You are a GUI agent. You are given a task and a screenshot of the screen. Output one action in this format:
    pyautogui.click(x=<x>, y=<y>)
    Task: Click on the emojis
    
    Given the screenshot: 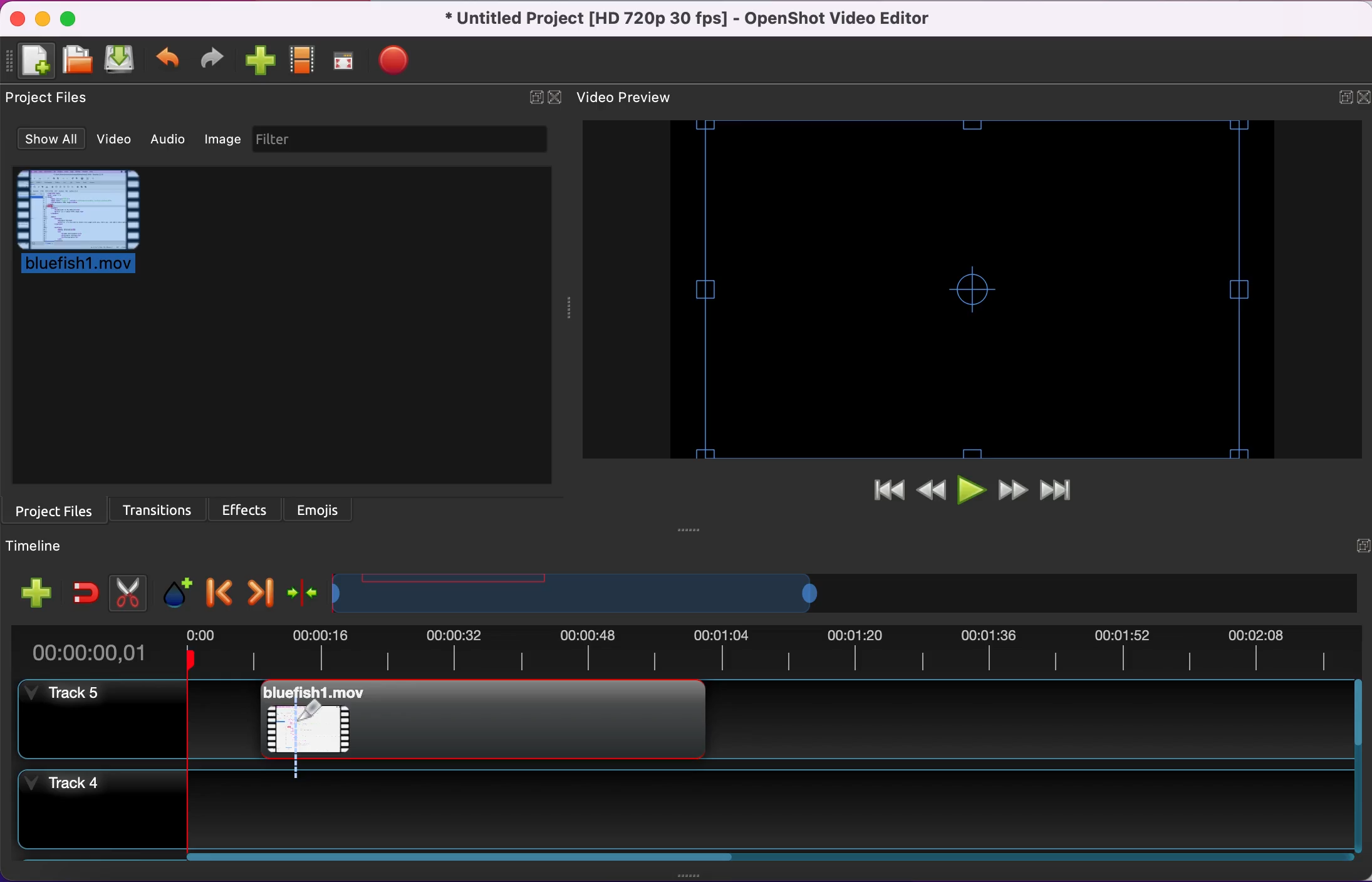 What is the action you would take?
    pyautogui.click(x=328, y=509)
    